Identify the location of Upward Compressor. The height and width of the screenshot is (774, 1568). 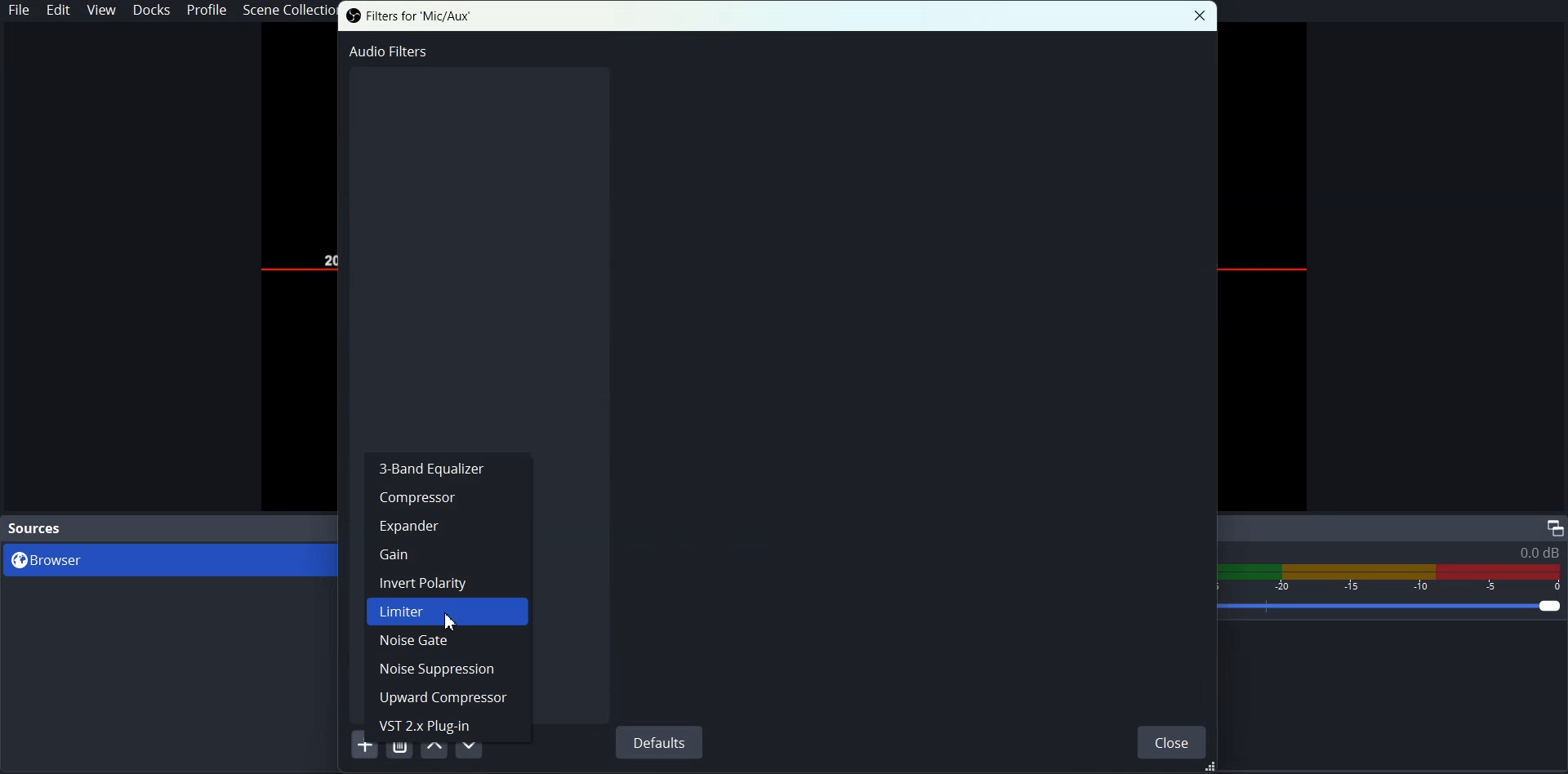
(449, 699).